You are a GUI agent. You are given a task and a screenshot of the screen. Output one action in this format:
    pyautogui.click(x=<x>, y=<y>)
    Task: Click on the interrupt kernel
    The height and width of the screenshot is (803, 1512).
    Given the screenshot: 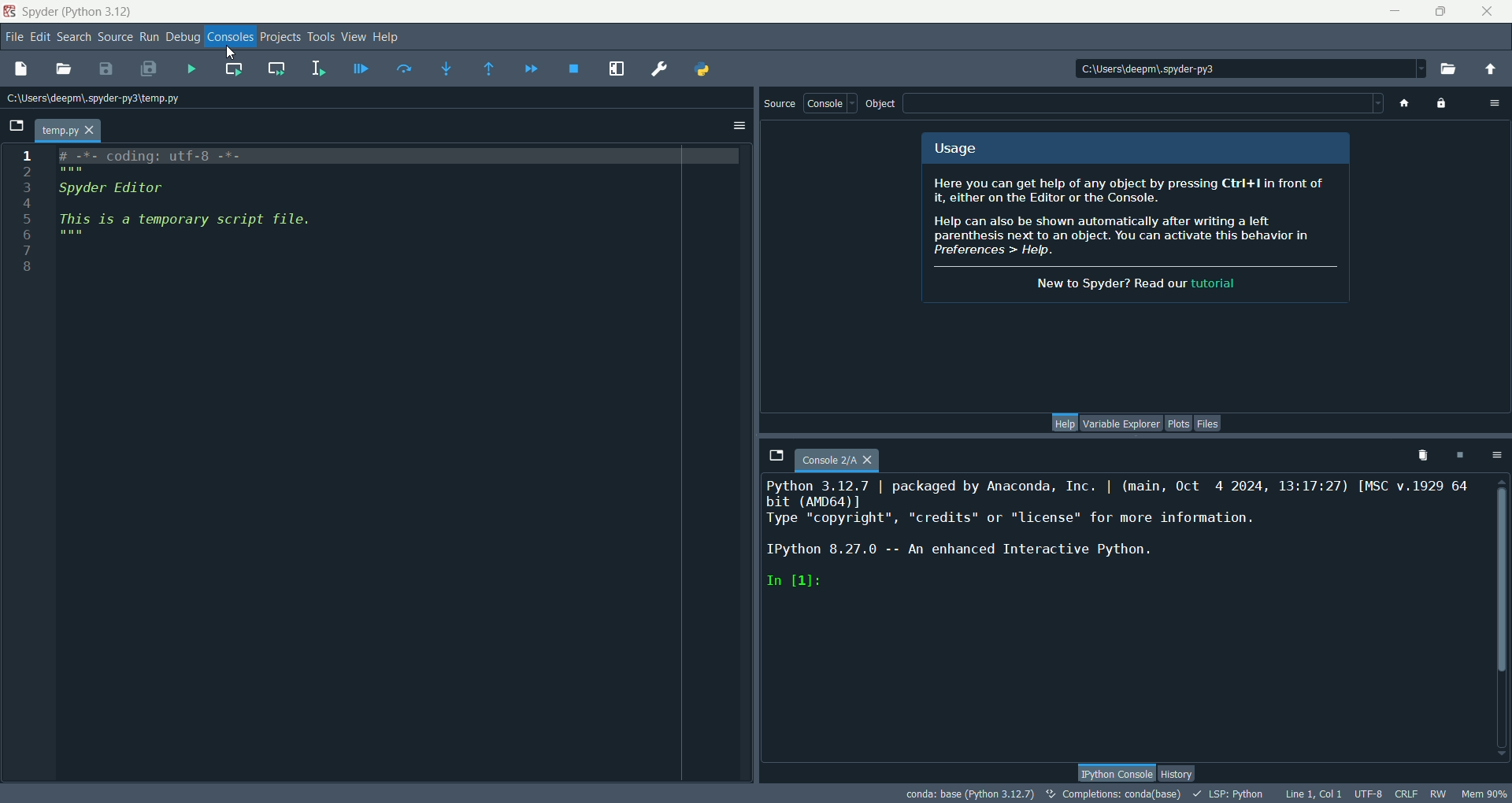 What is the action you would take?
    pyautogui.click(x=1458, y=456)
    